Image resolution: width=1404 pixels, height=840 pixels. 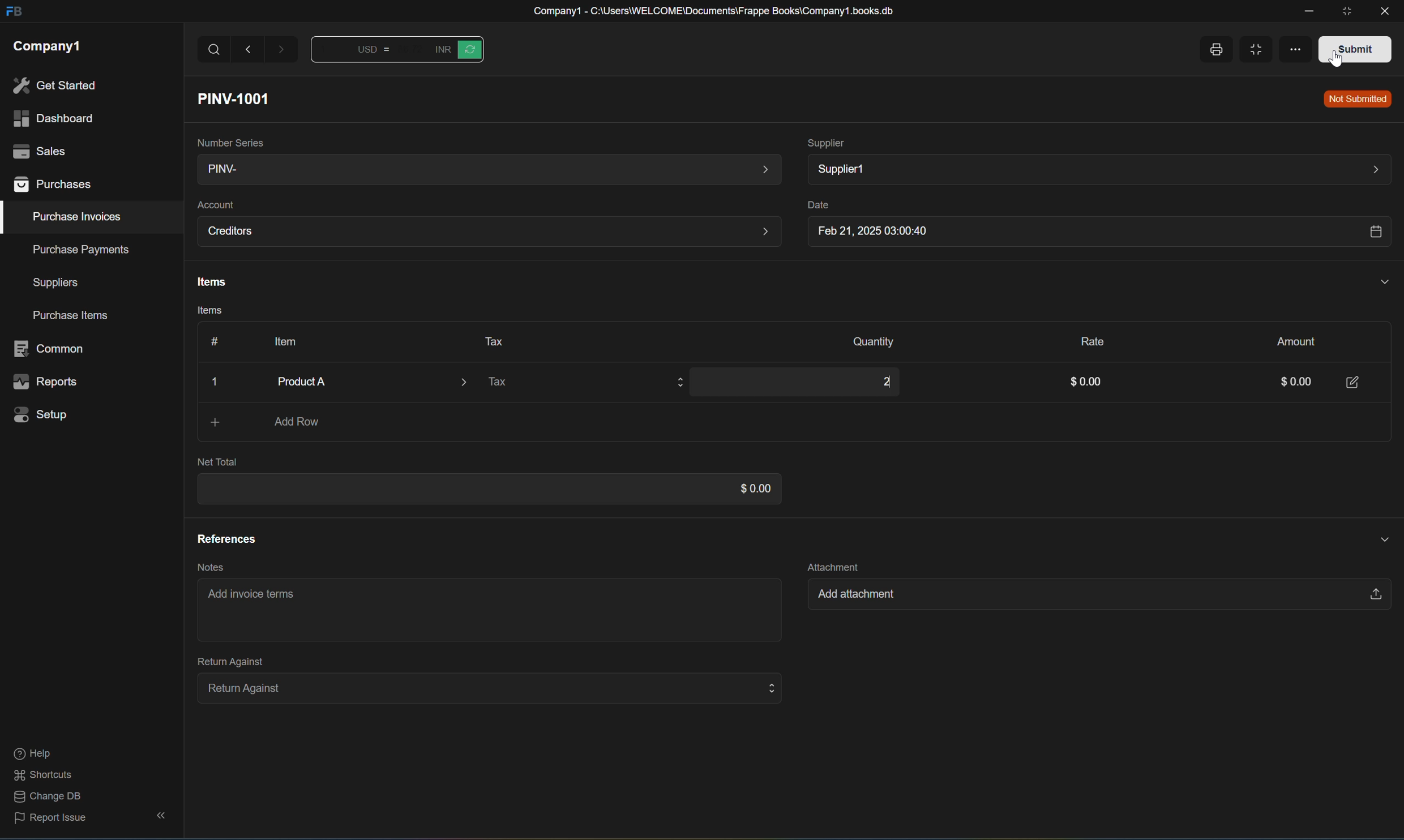 I want to click on purchases, so click(x=54, y=186).